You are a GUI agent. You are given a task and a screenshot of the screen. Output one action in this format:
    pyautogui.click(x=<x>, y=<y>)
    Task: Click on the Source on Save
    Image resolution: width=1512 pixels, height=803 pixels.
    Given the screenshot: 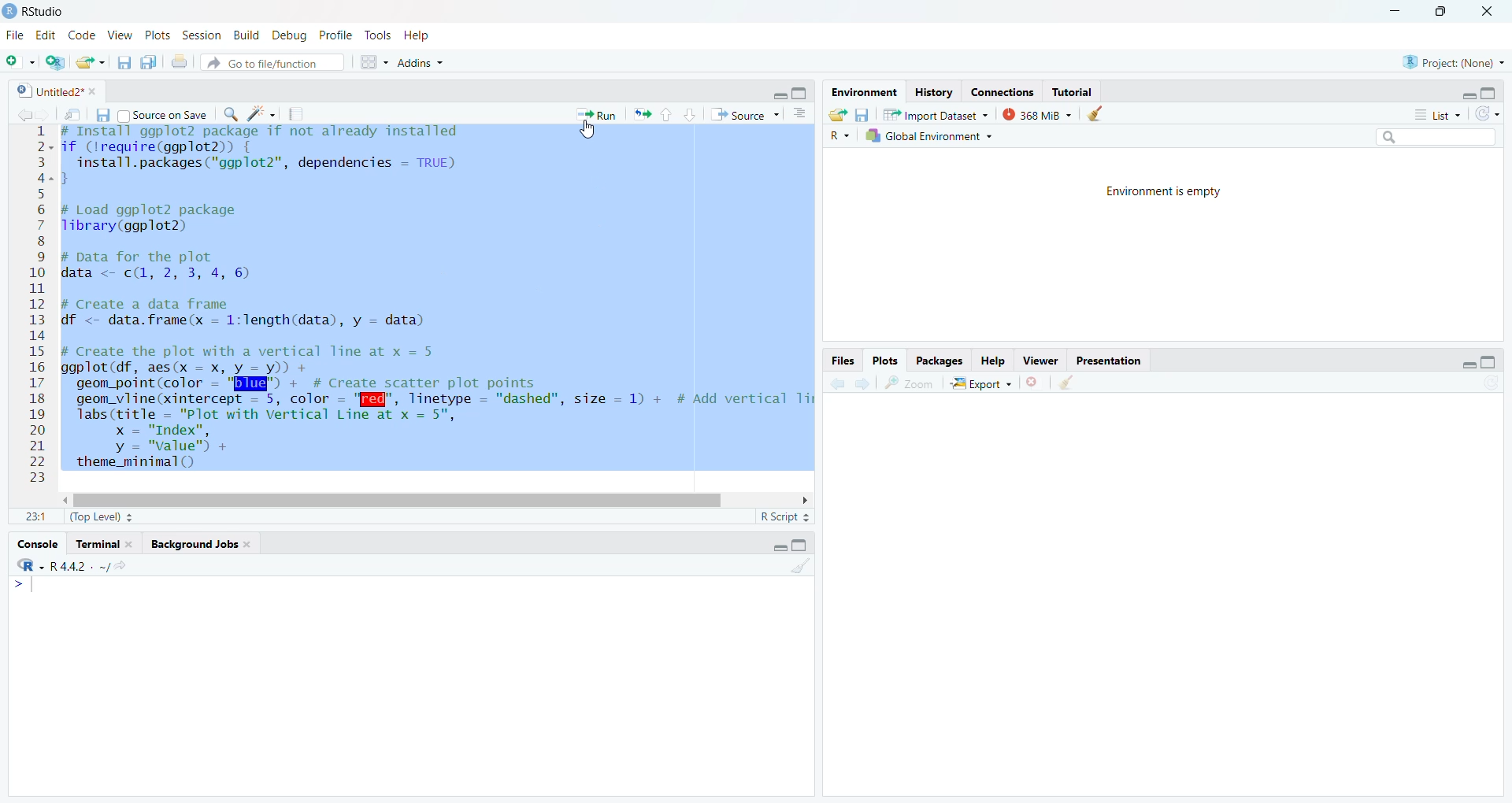 What is the action you would take?
    pyautogui.click(x=163, y=113)
    